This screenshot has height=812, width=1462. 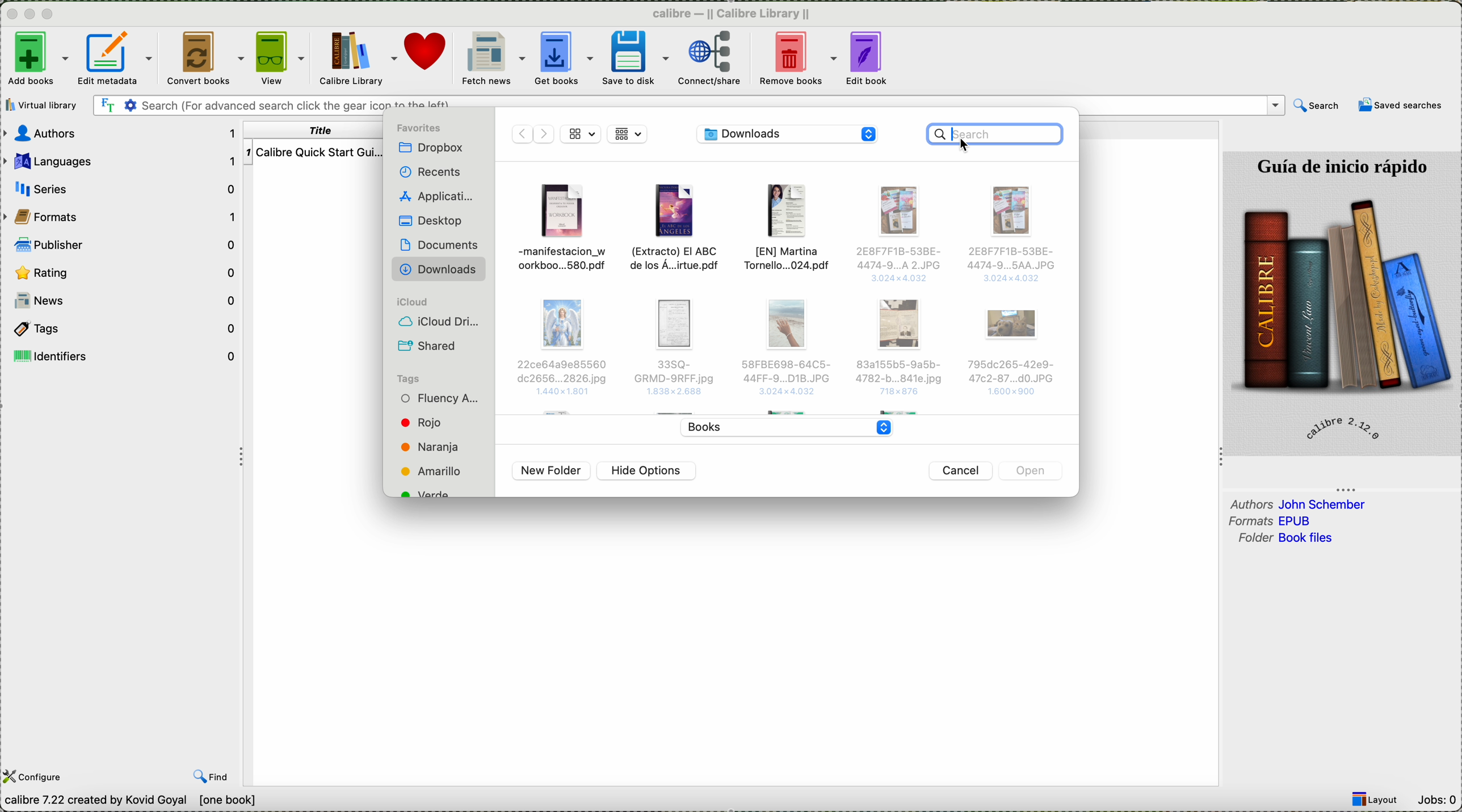 I want to click on formats, so click(x=1274, y=521).